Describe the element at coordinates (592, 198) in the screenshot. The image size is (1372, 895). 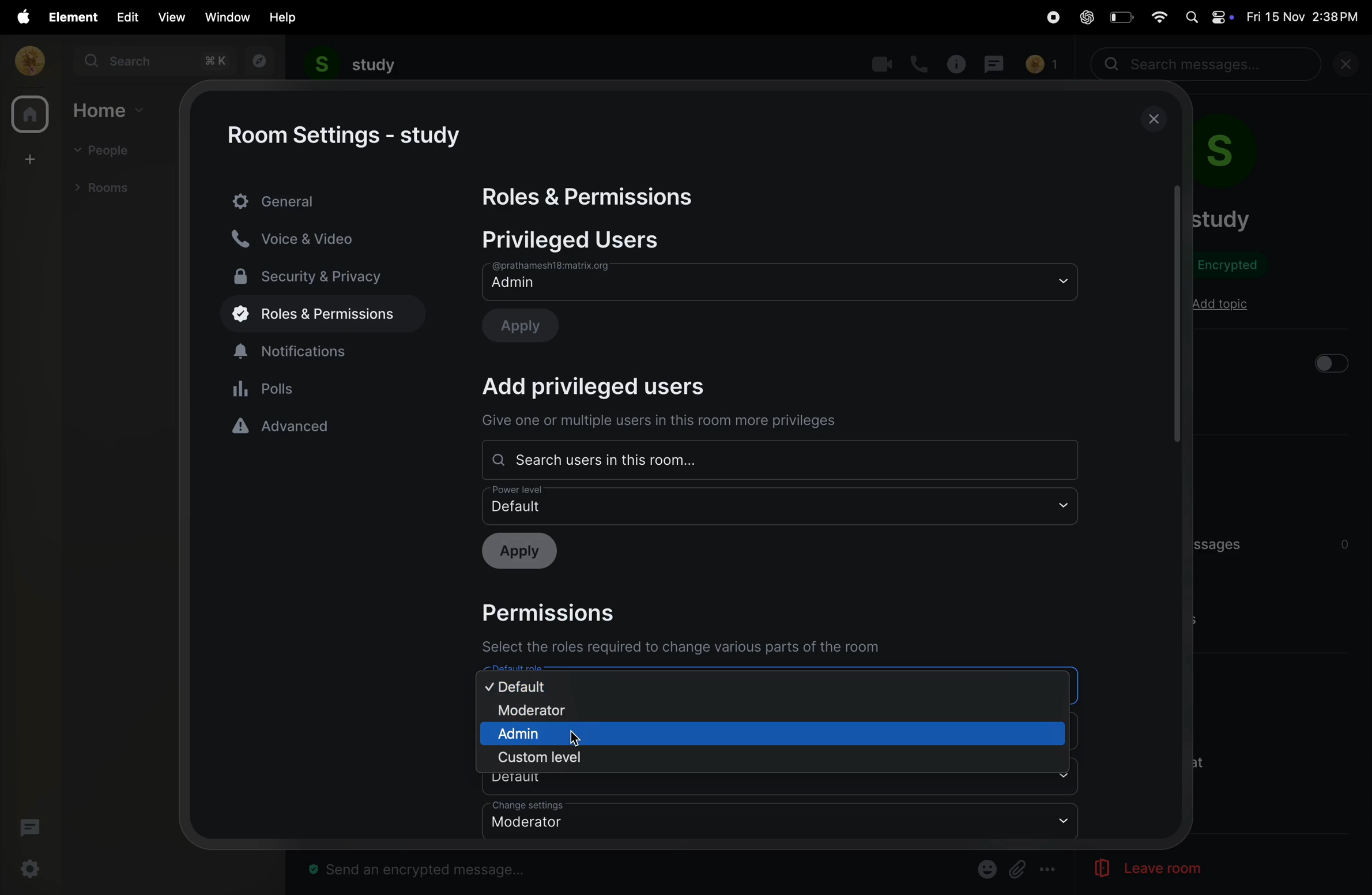
I see `Roles and permissions` at that location.